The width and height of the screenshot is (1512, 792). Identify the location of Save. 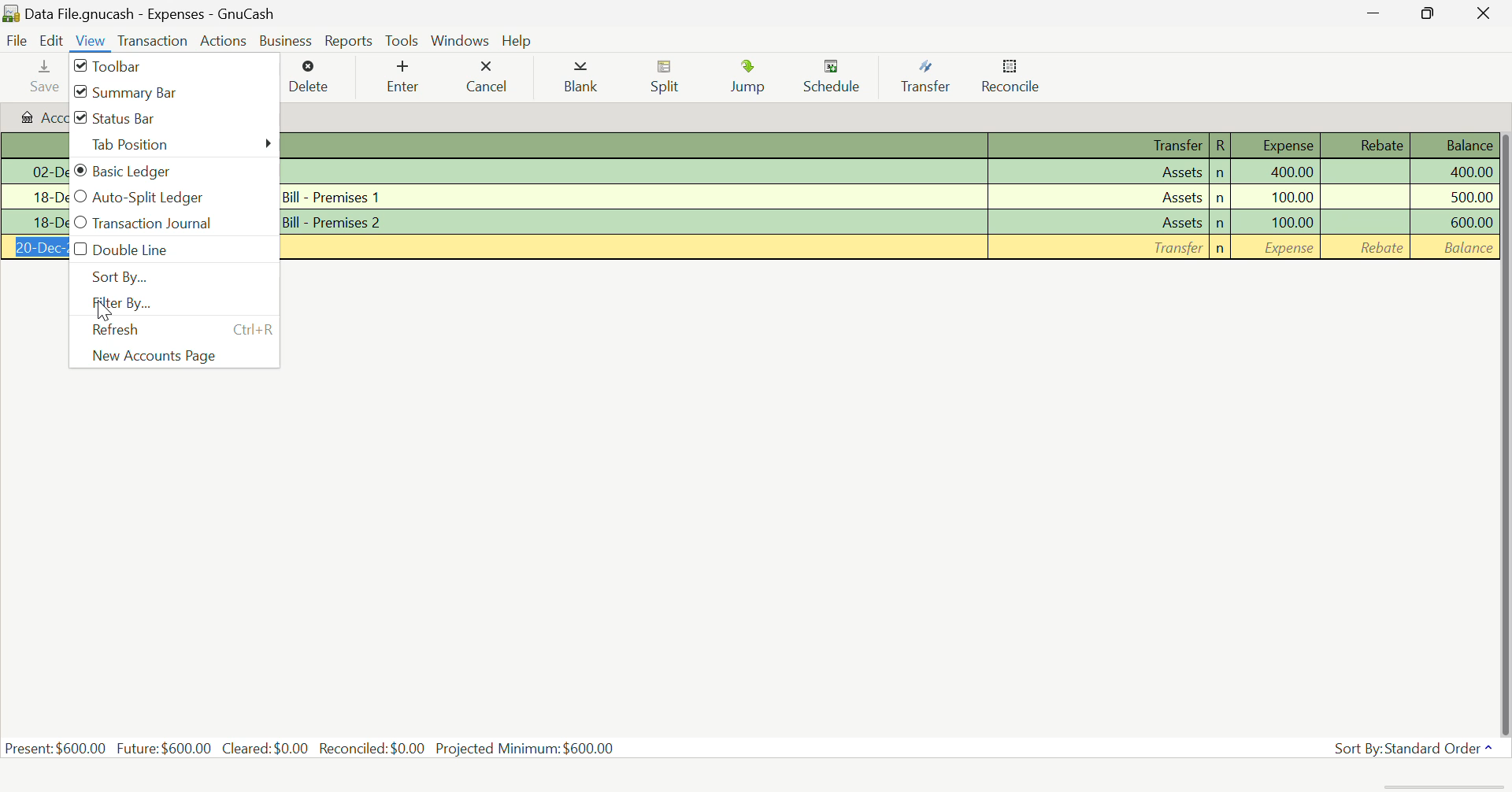
(42, 77).